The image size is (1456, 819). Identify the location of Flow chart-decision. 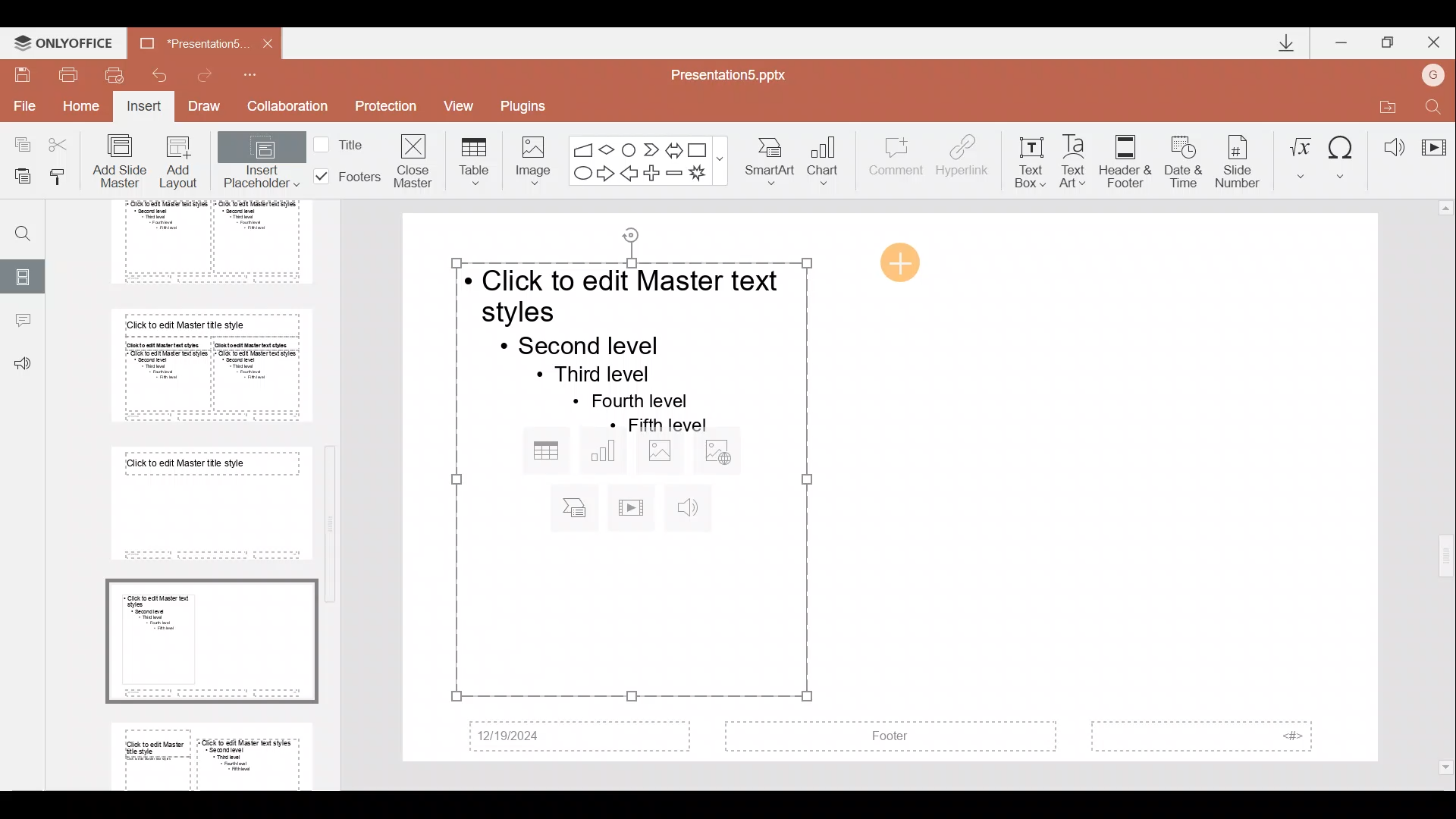
(609, 149).